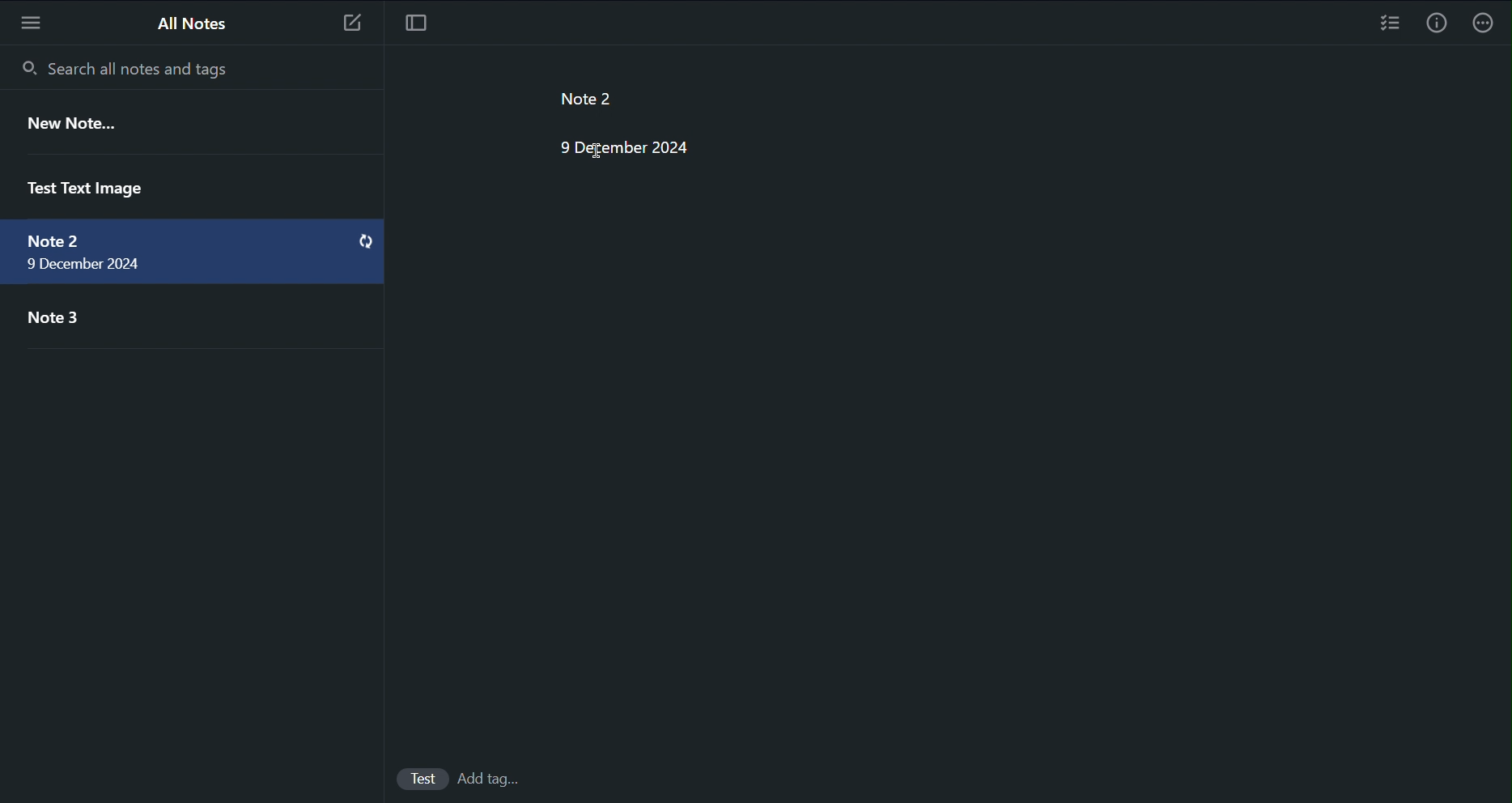 Image resolution: width=1512 pixels, height=803 pixels. Describe the element at coordinates (421, 779) in the screenshot. I see `test` at that location.